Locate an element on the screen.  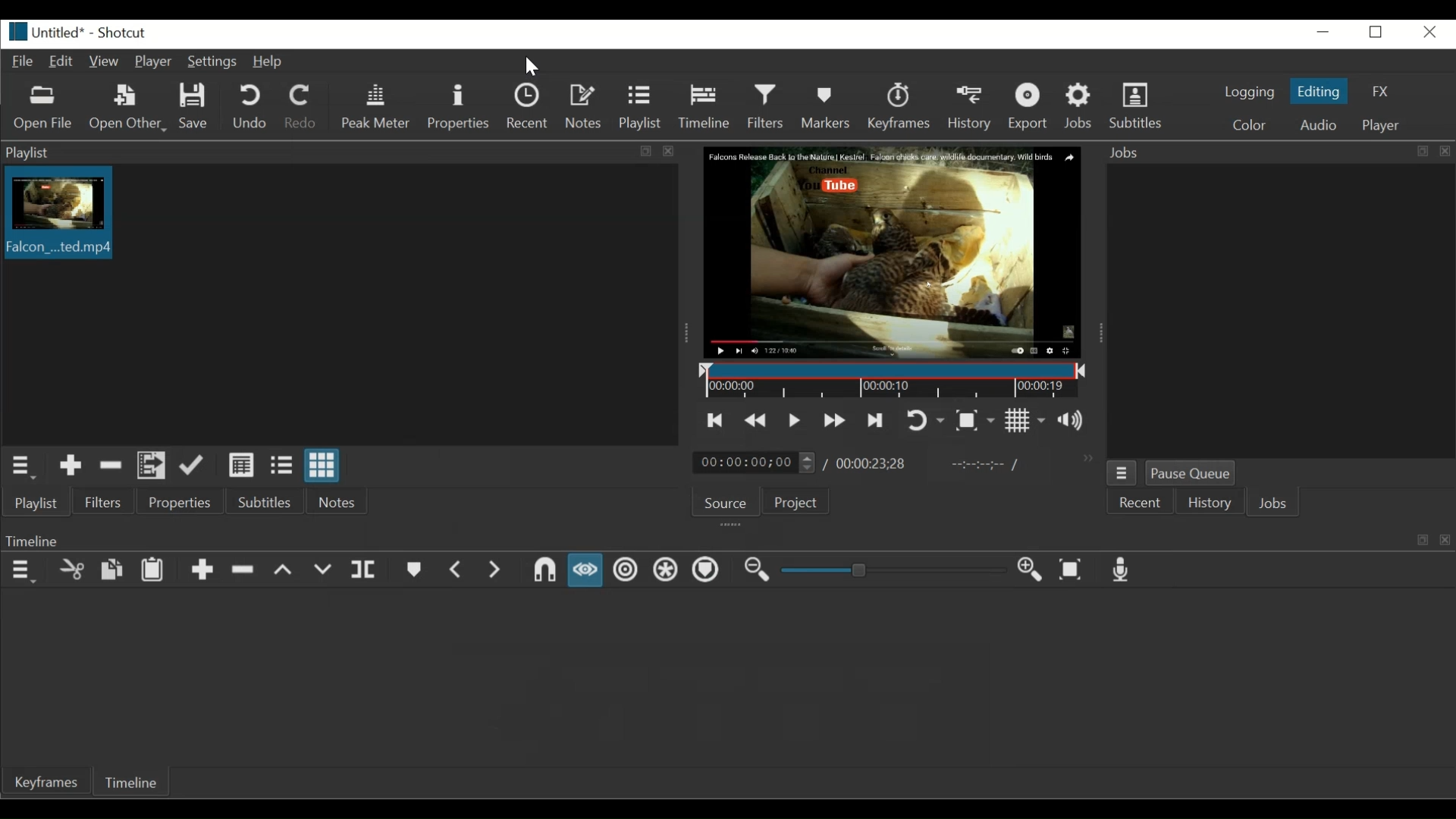
Scrub while dragging is located at coordinates (585, 570).